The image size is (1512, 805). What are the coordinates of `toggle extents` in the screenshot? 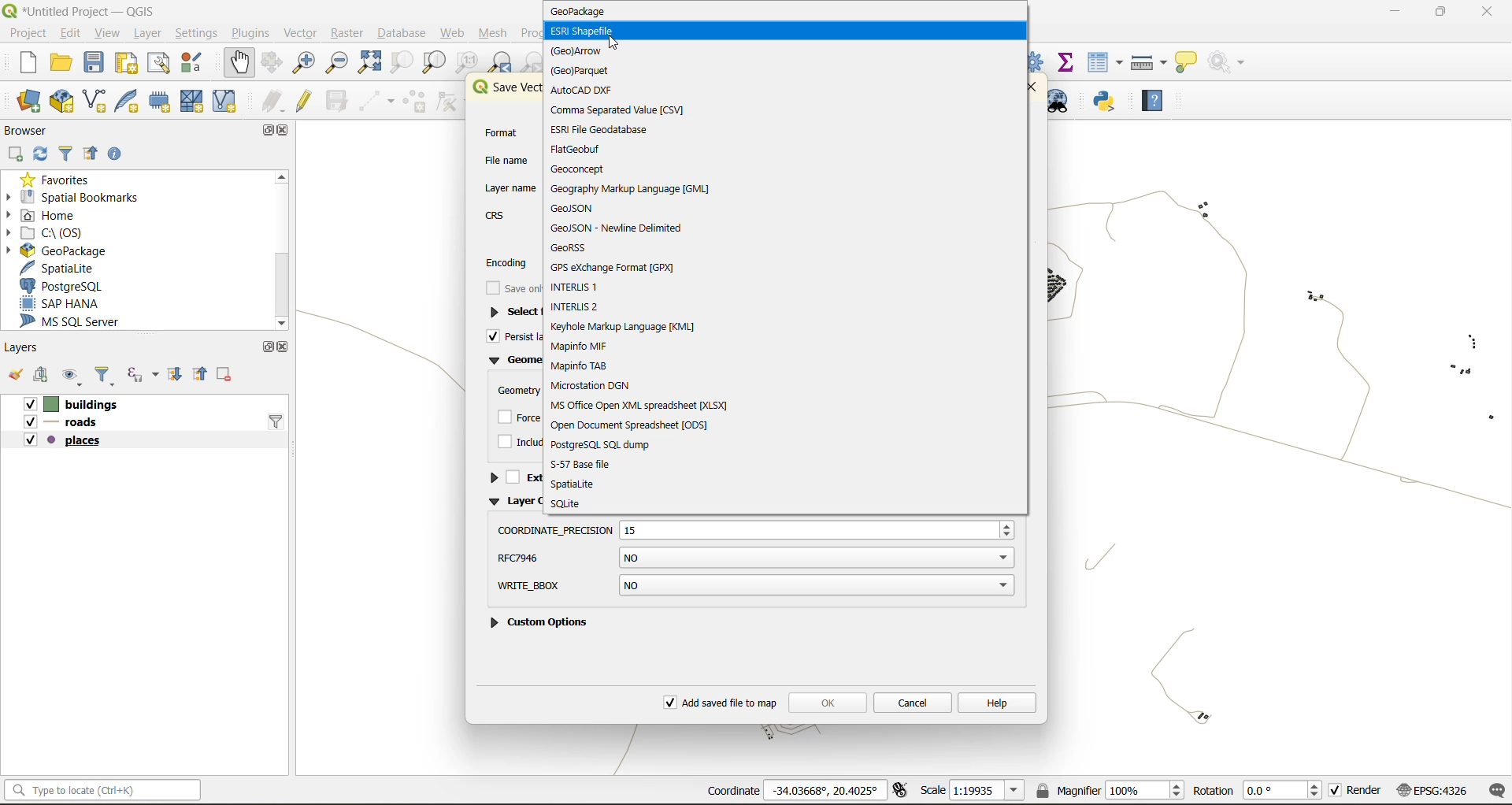 It's located at (902, 790).